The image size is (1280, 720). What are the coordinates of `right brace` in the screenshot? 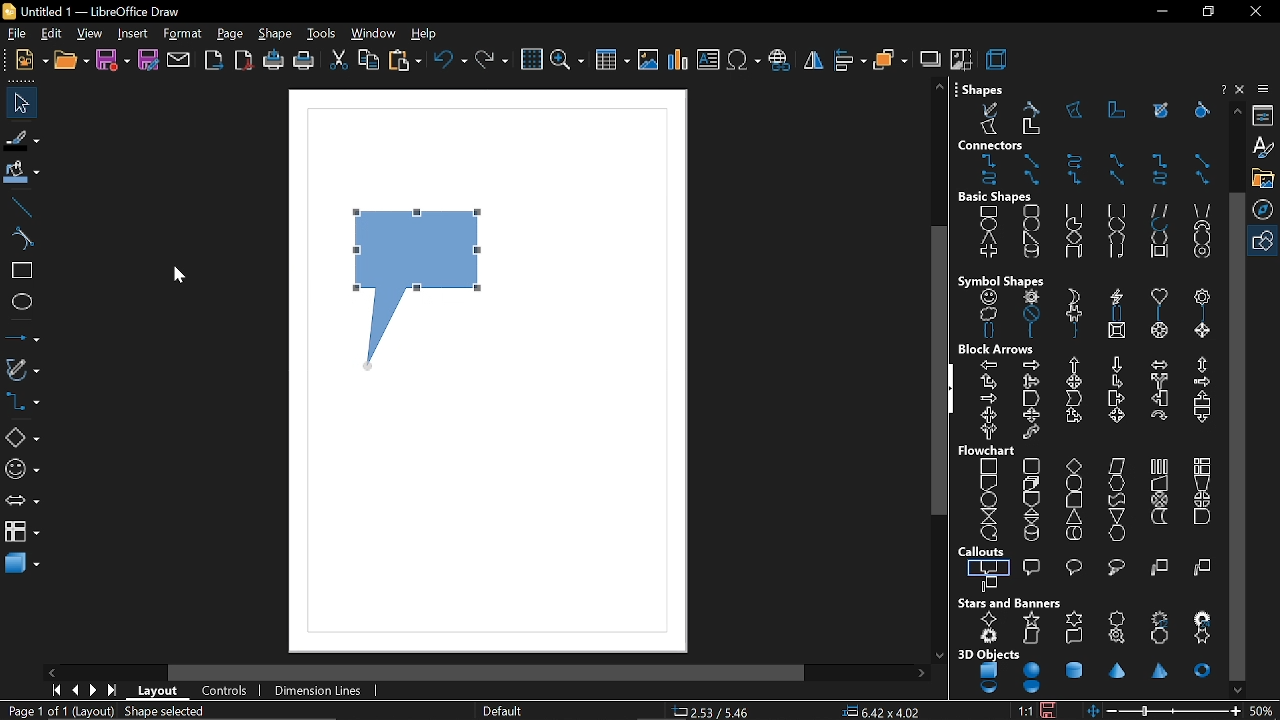 It's located at (1074, 333).